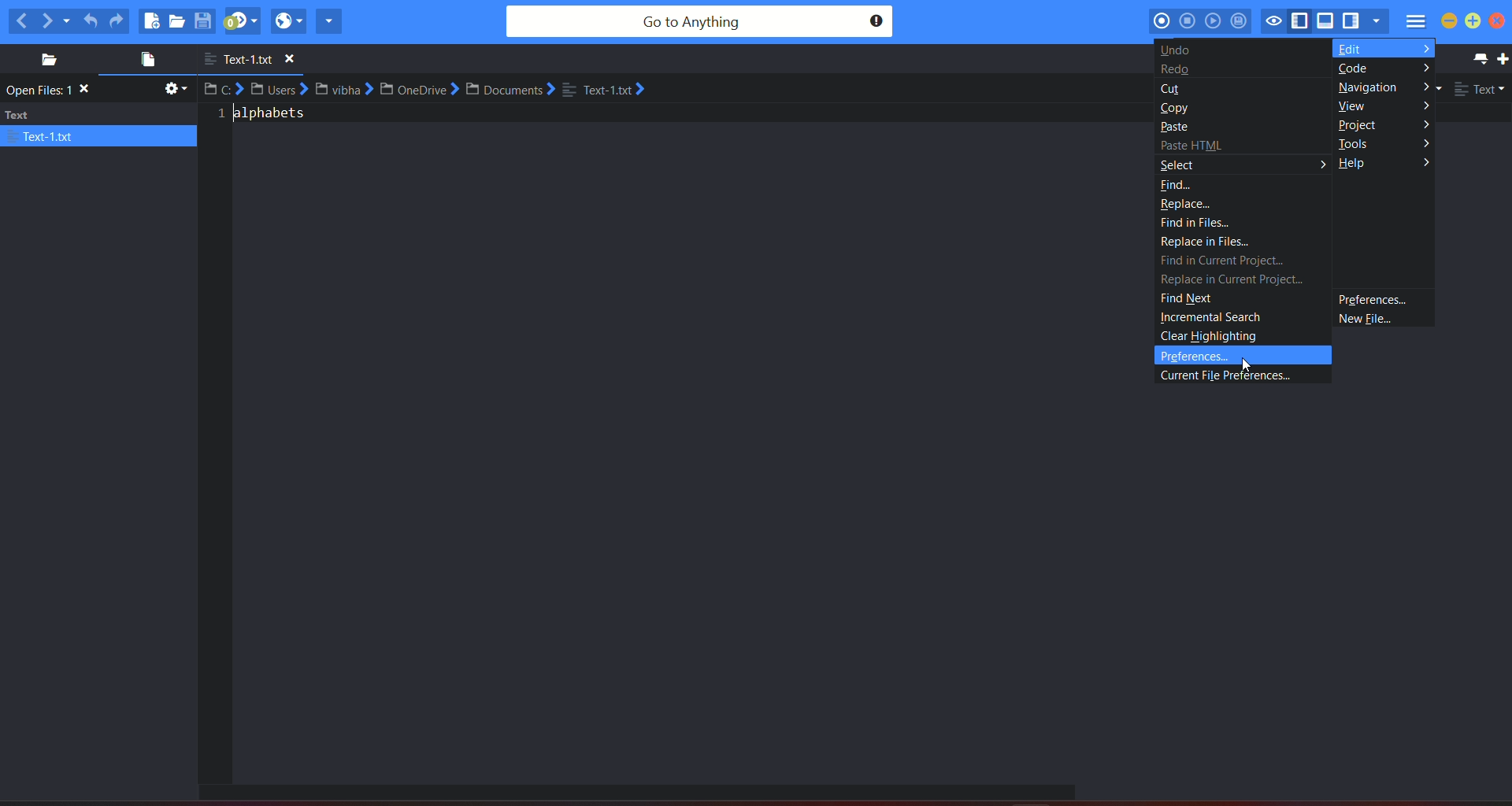  What do you see at coordinates (1227, 376) in the screenshot?
I see `current file preferences` at bounding box center [1227, 376].